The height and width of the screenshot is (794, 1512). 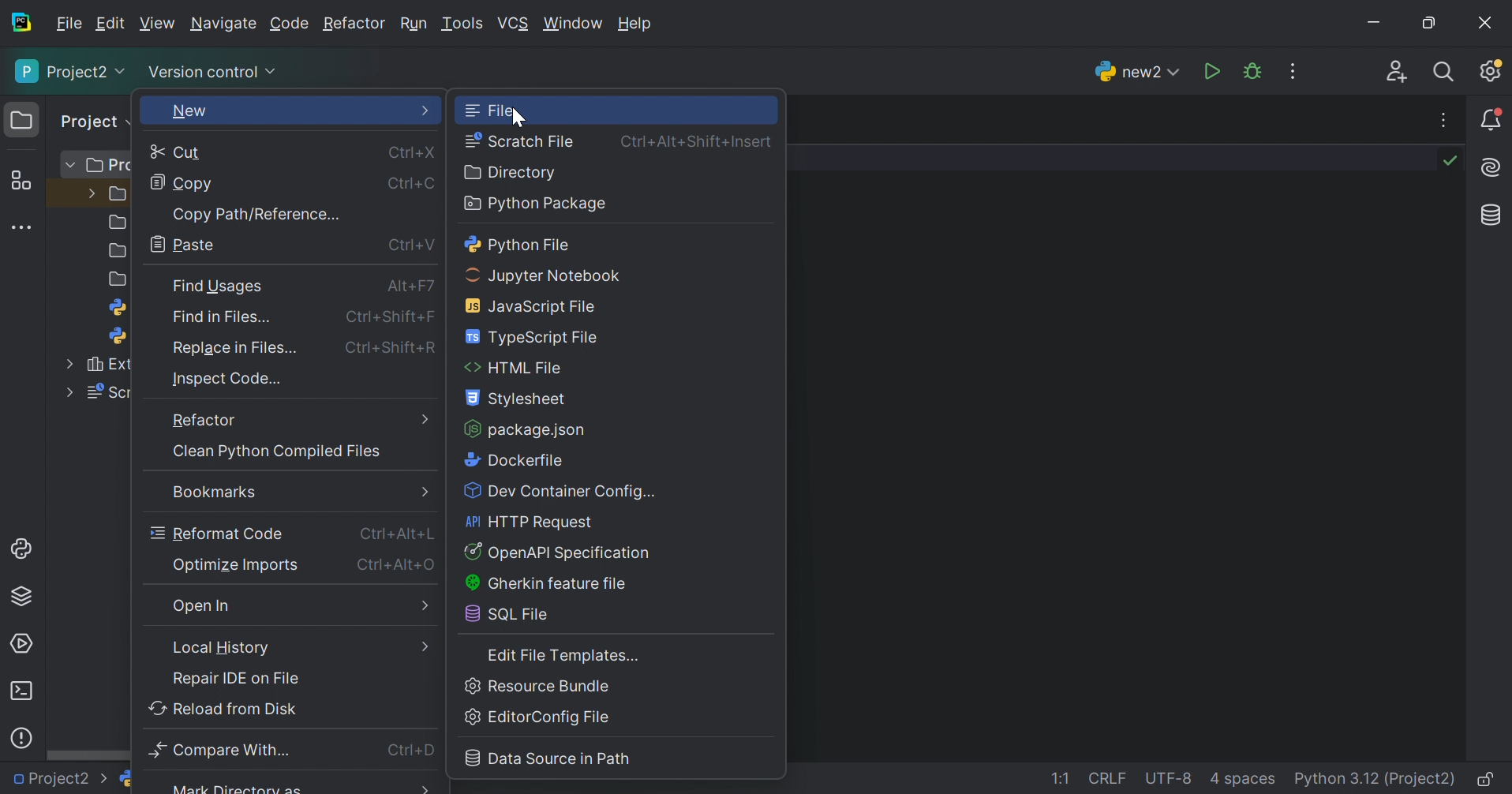 What do you see at coordinates (206, 608) in the screenshot?
I see `Open in` at bounding box center [206, 608].